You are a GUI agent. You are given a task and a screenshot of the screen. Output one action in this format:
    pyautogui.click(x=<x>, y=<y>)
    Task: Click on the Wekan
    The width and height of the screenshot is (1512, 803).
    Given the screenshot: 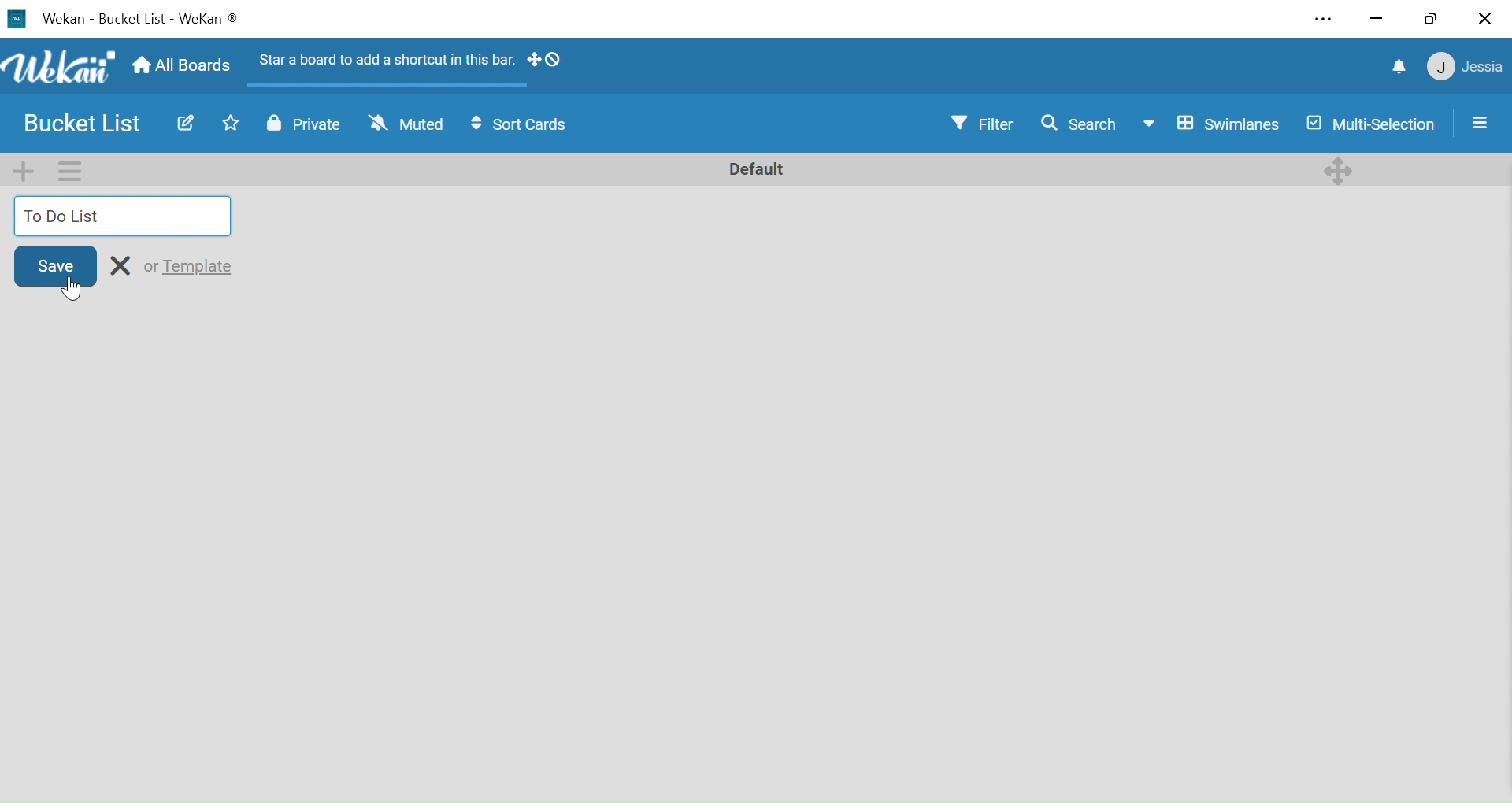 What is the action you would take?
    pyautogui.click(x=209, y=20)
    